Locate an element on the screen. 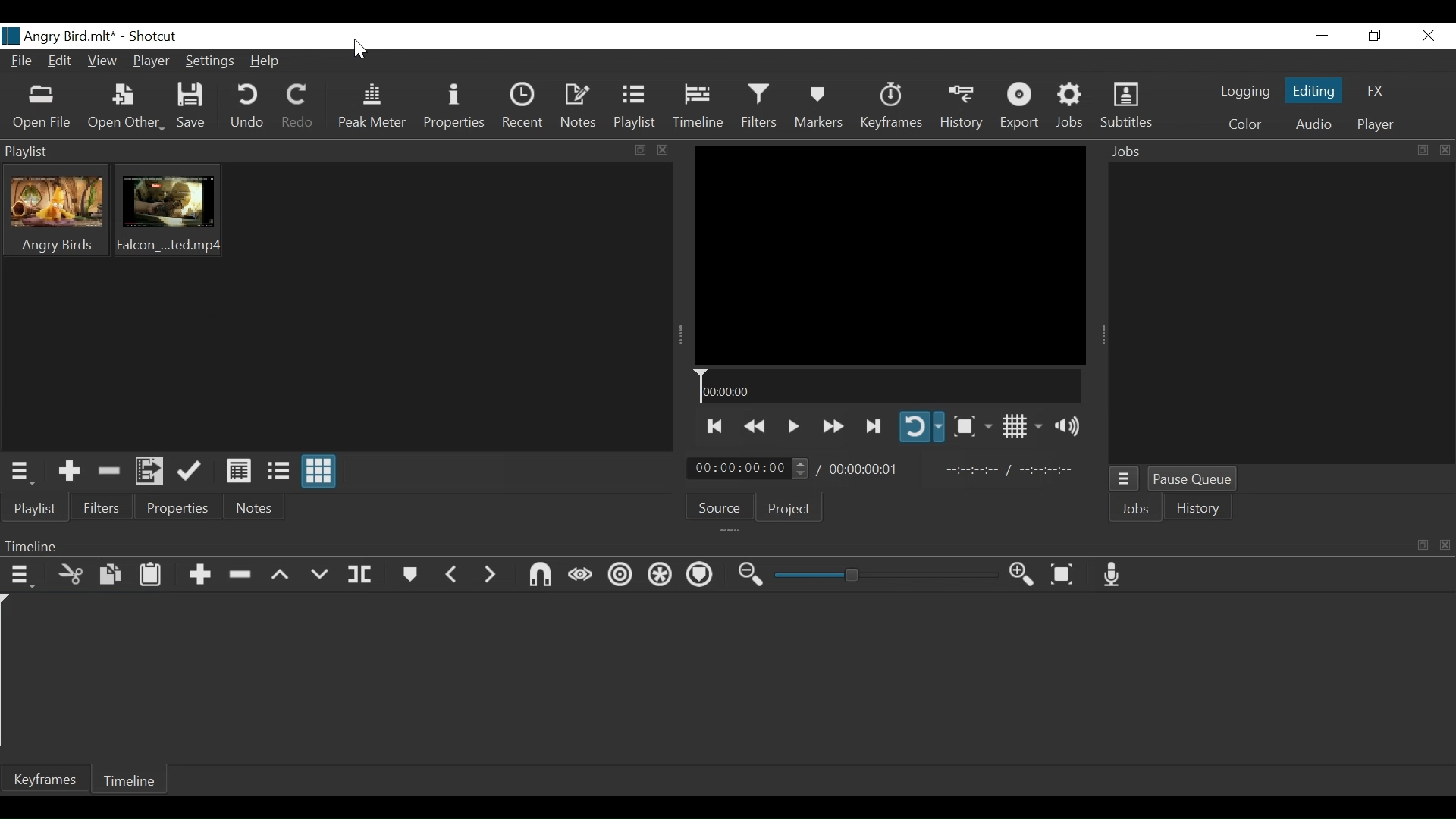 This screenshot has width=1456, height=819. Editing is located at coordinates (1312, 91).